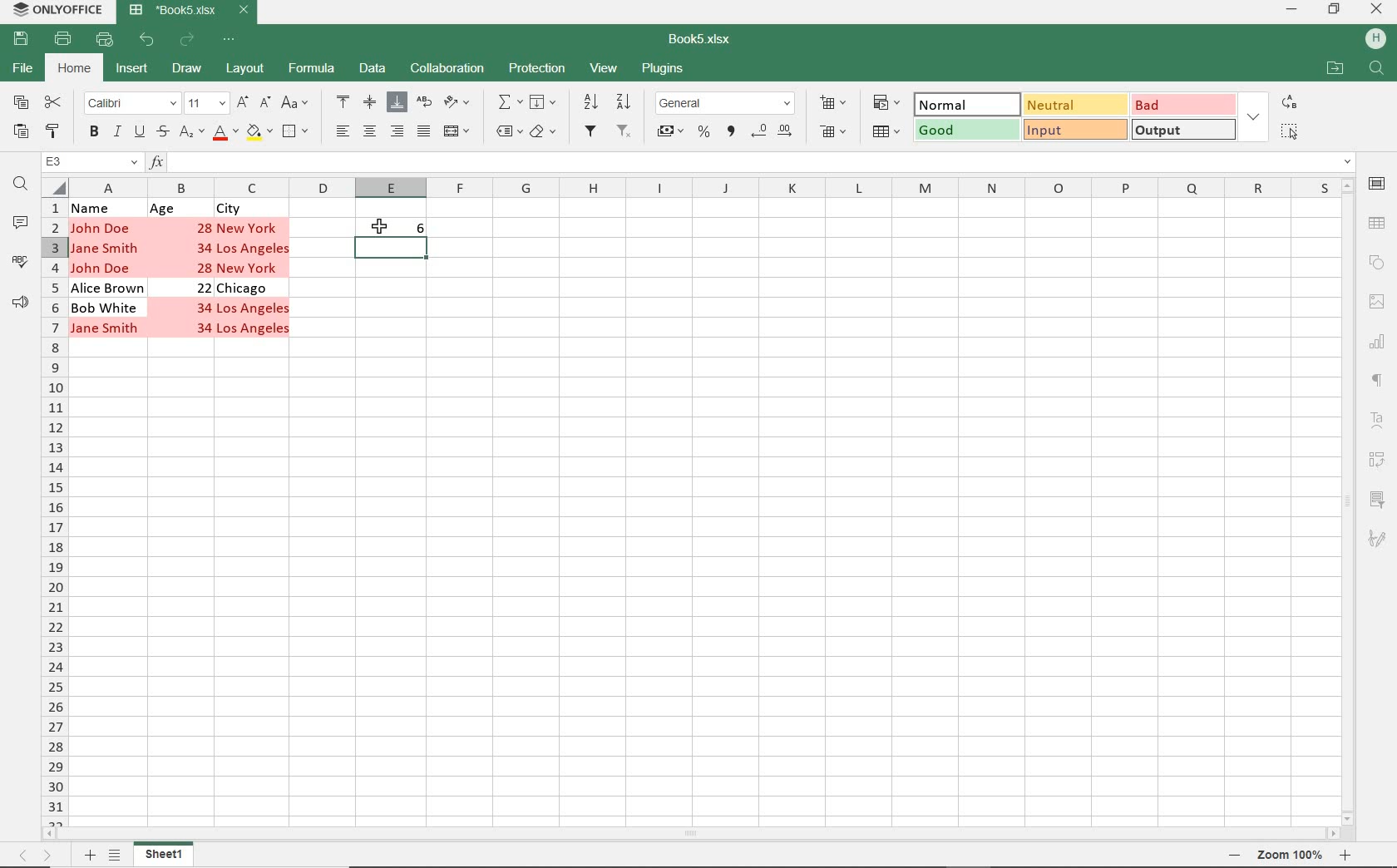  What do you see at coordinates (105, 268) in the screenshot?
I see `John Doe` at bounding box center [105, 268].